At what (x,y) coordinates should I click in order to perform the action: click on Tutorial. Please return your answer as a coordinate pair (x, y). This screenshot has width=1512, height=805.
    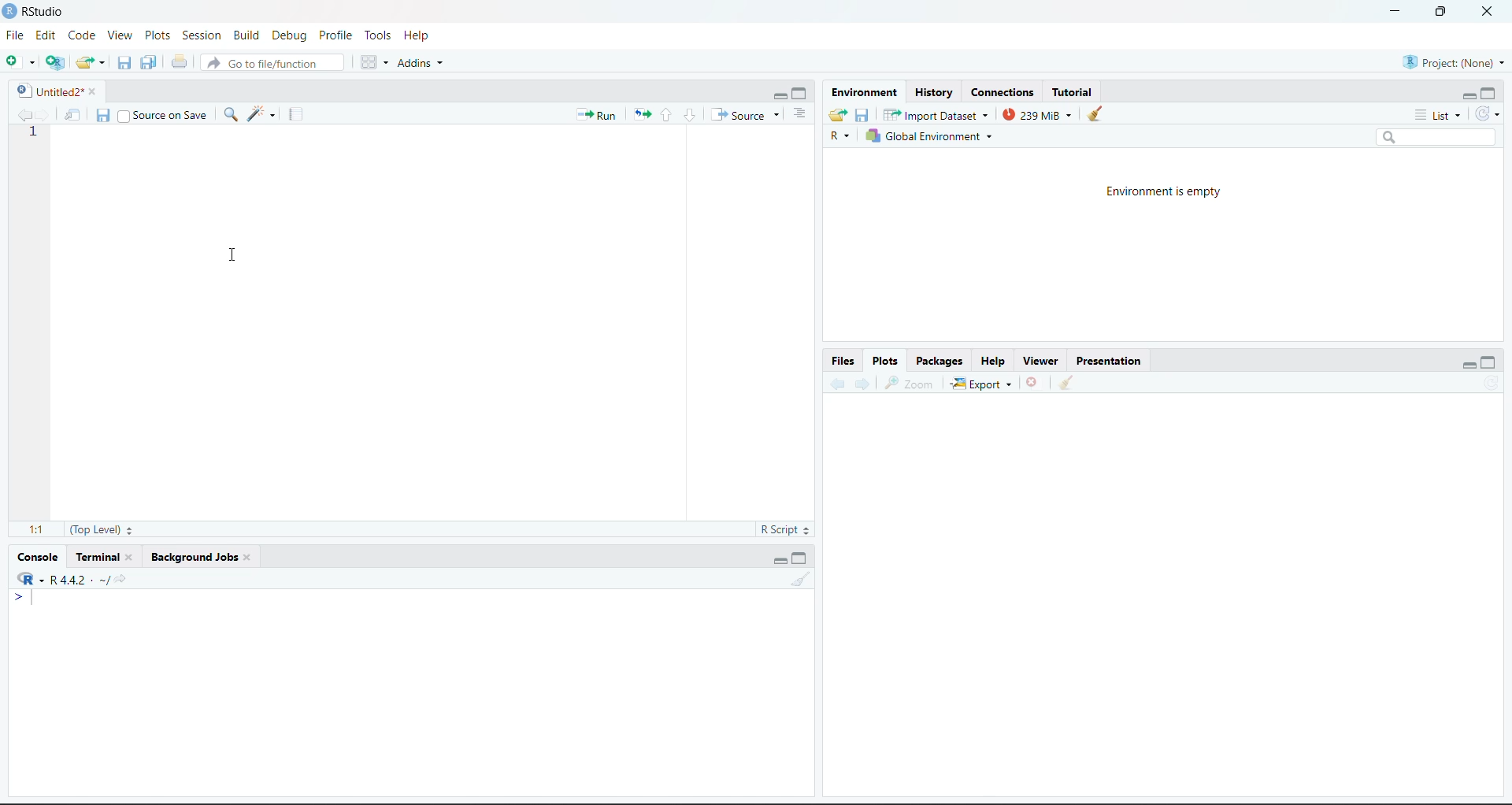
    Looking at the image, I should click on (1074, 92).